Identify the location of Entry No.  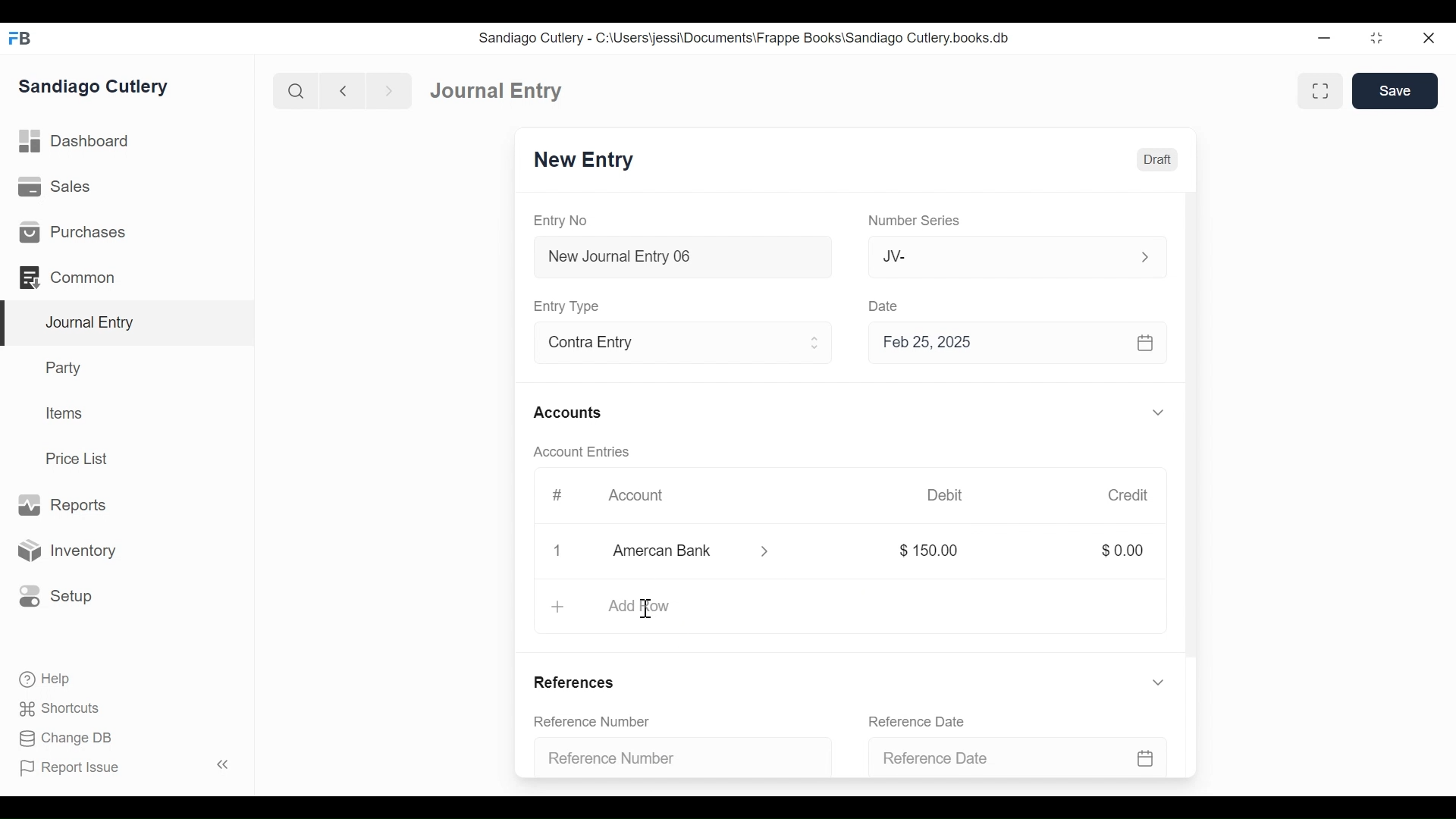
(561, 221).